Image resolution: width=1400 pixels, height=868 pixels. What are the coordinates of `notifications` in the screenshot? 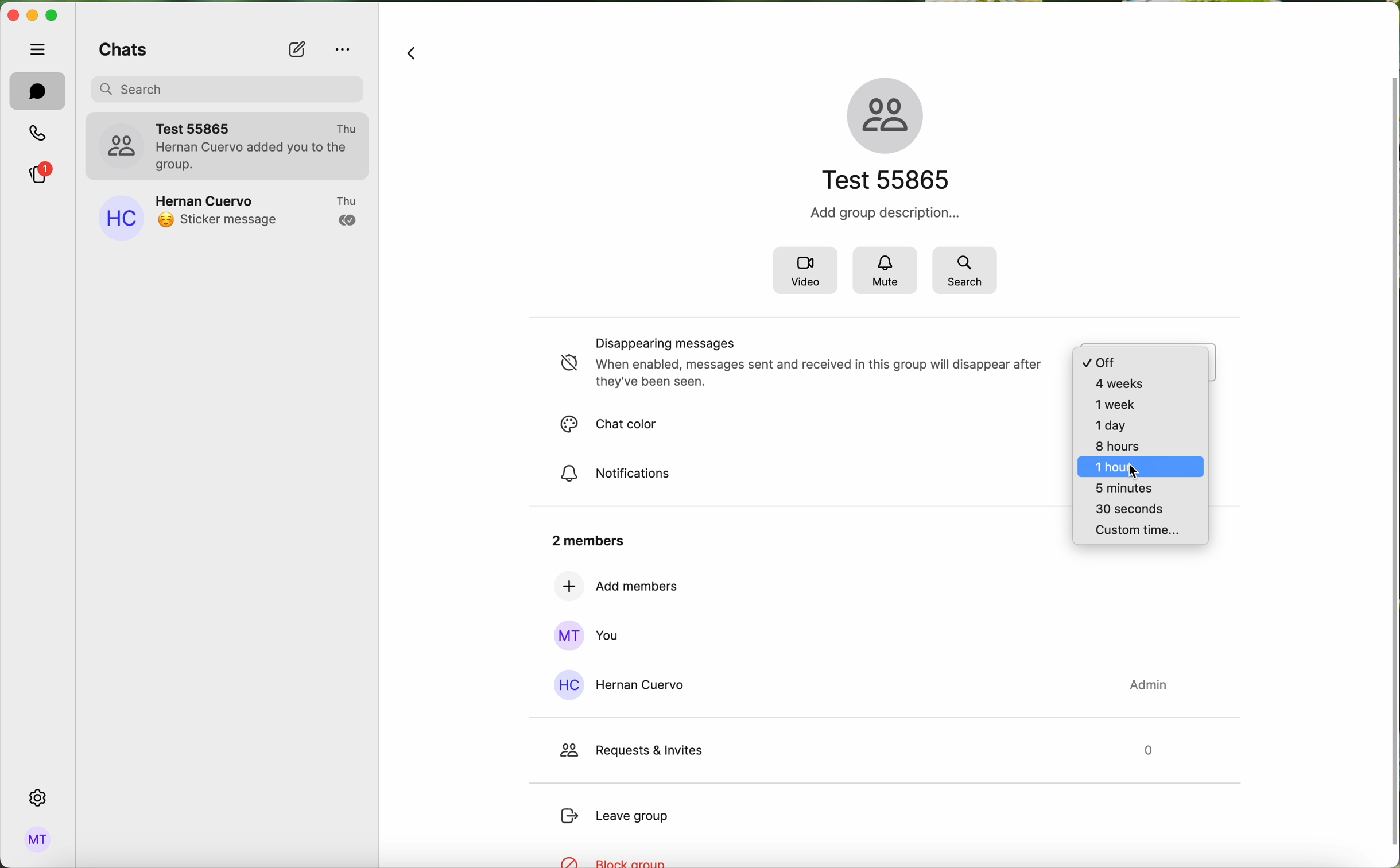 It's located at (617, 474).